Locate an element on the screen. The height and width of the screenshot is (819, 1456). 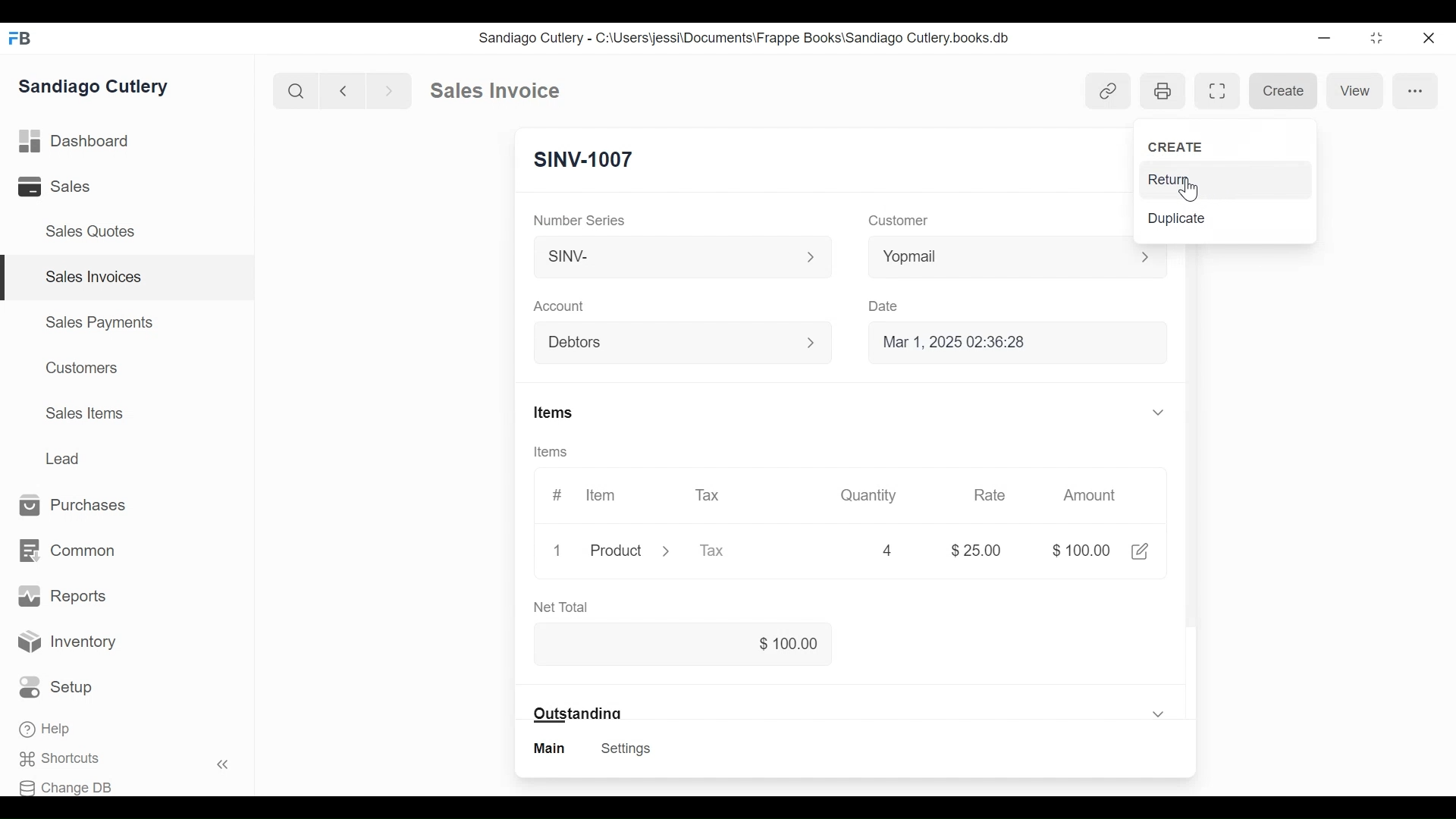
Rate is located at coordinates (991, 494).